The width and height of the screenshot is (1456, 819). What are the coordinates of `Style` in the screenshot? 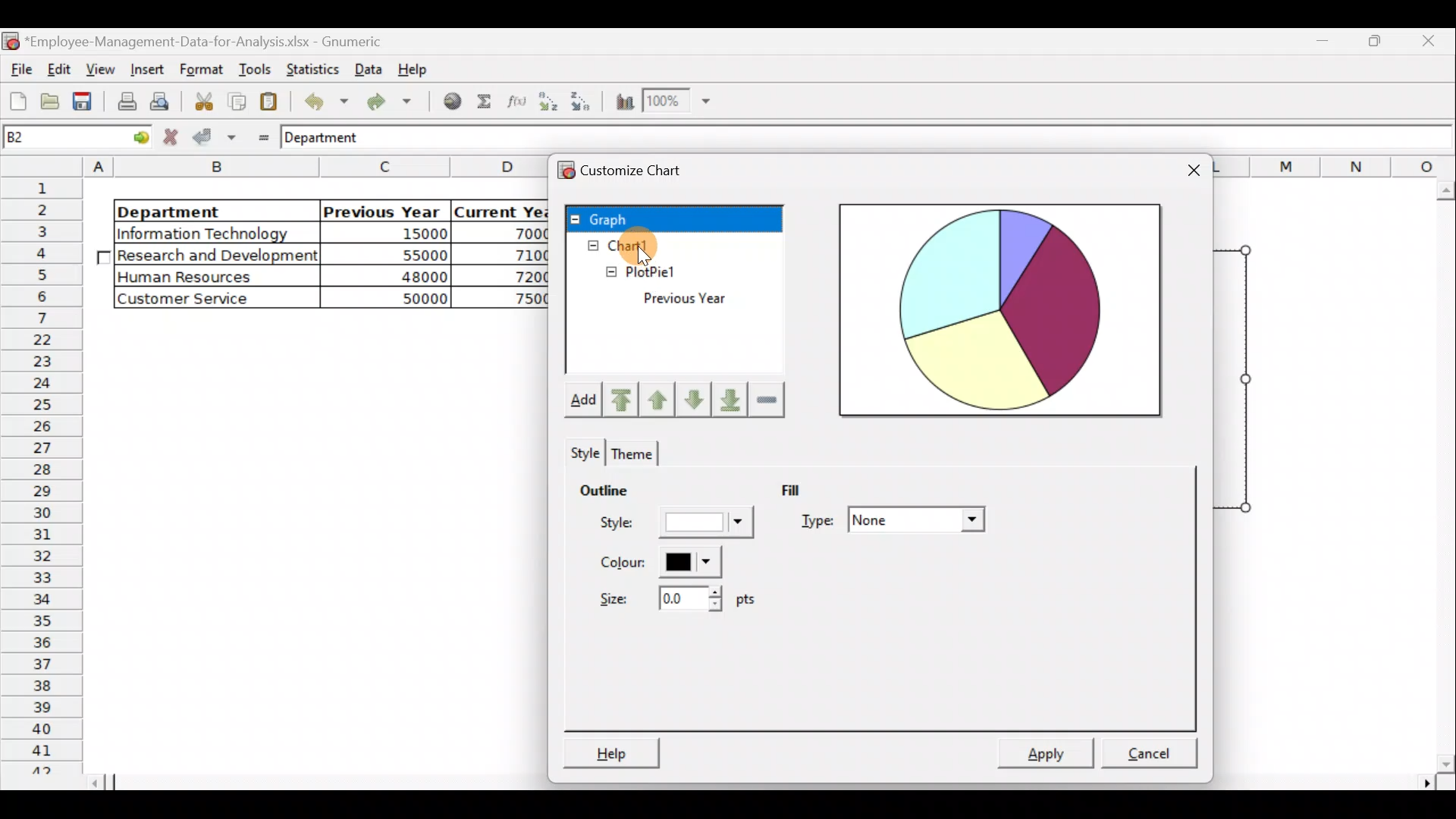 It's located at (578, 451).